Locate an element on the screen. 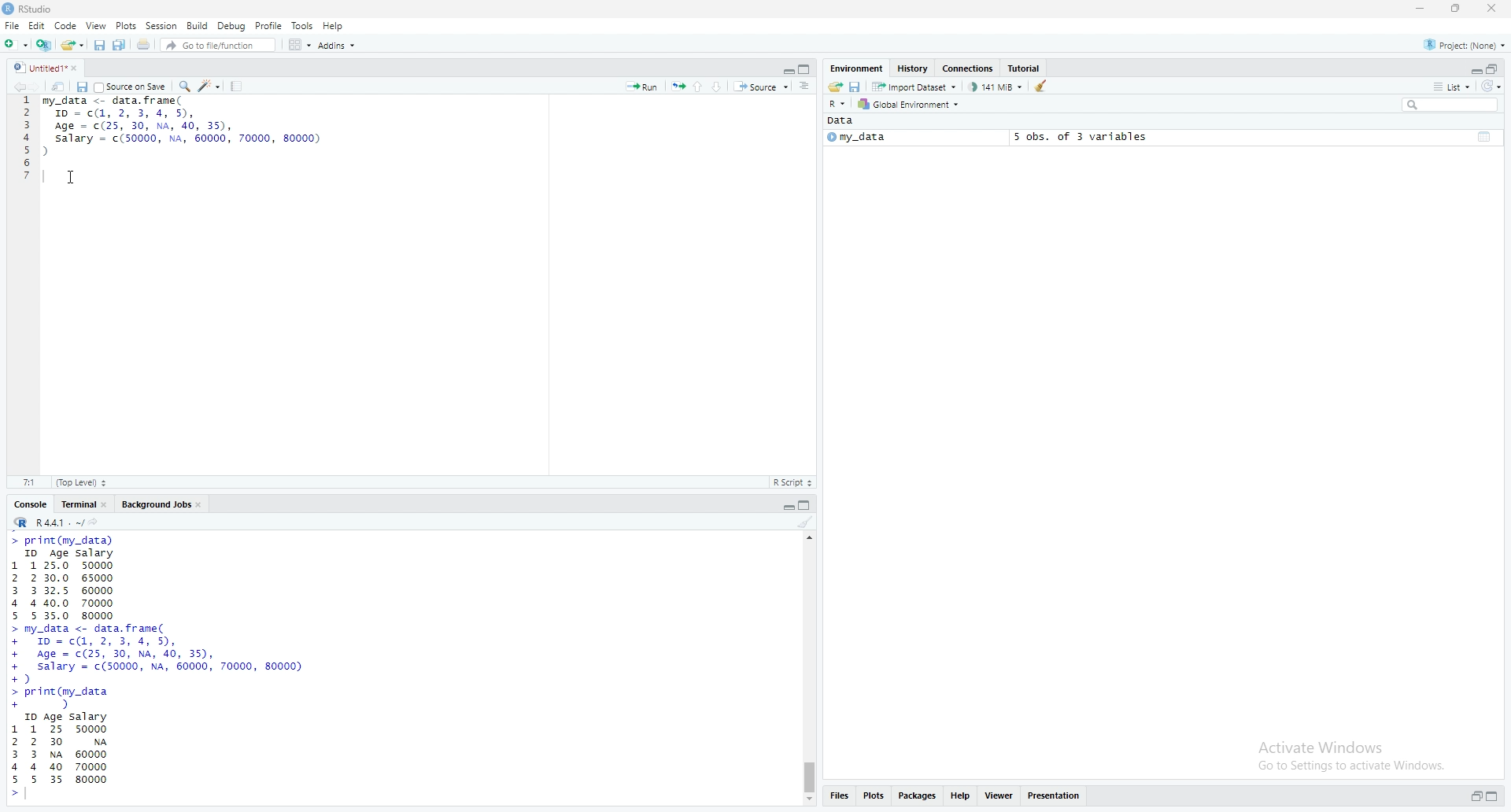  Plots is located at coordinates (126, 25).